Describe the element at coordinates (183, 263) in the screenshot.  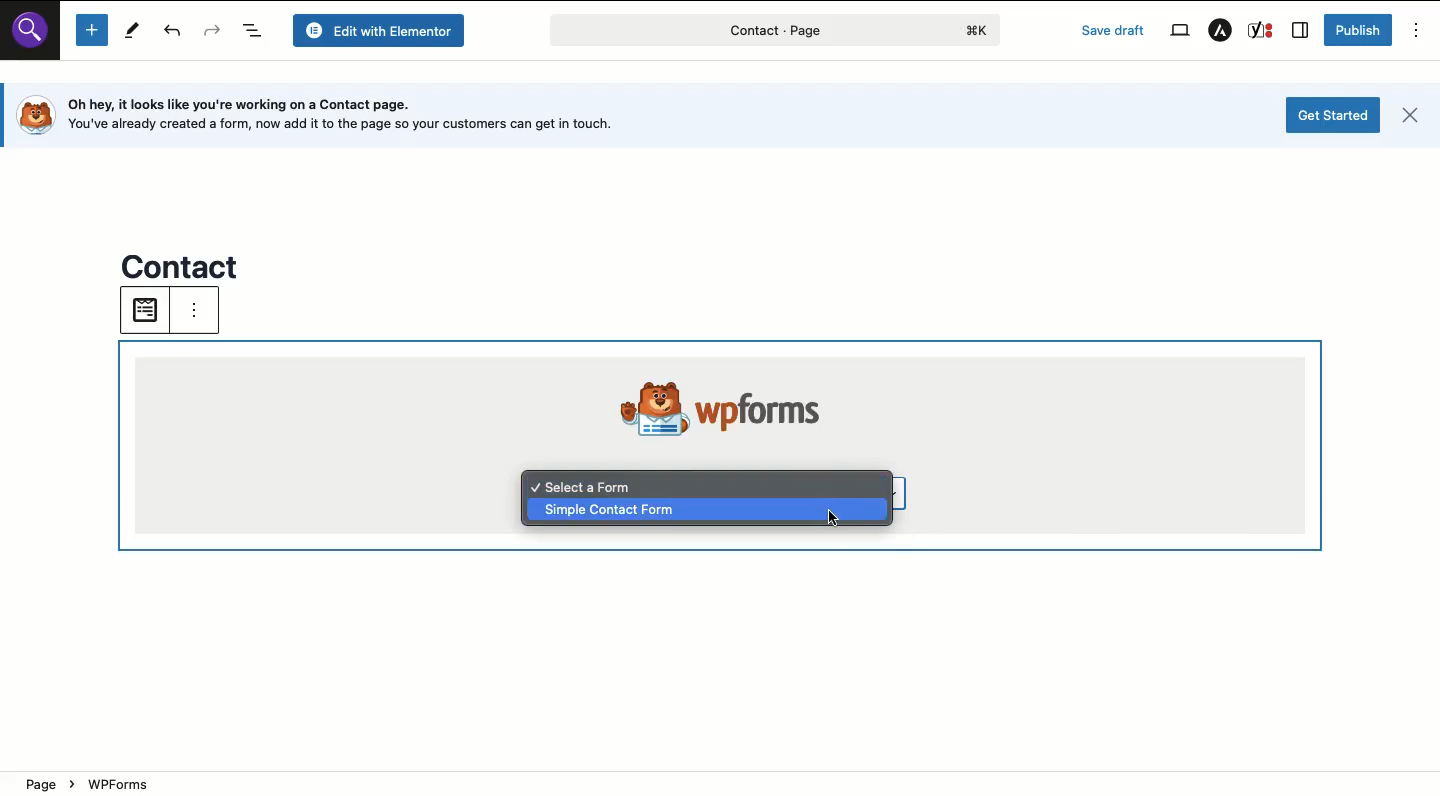
I see `contact` at that location.